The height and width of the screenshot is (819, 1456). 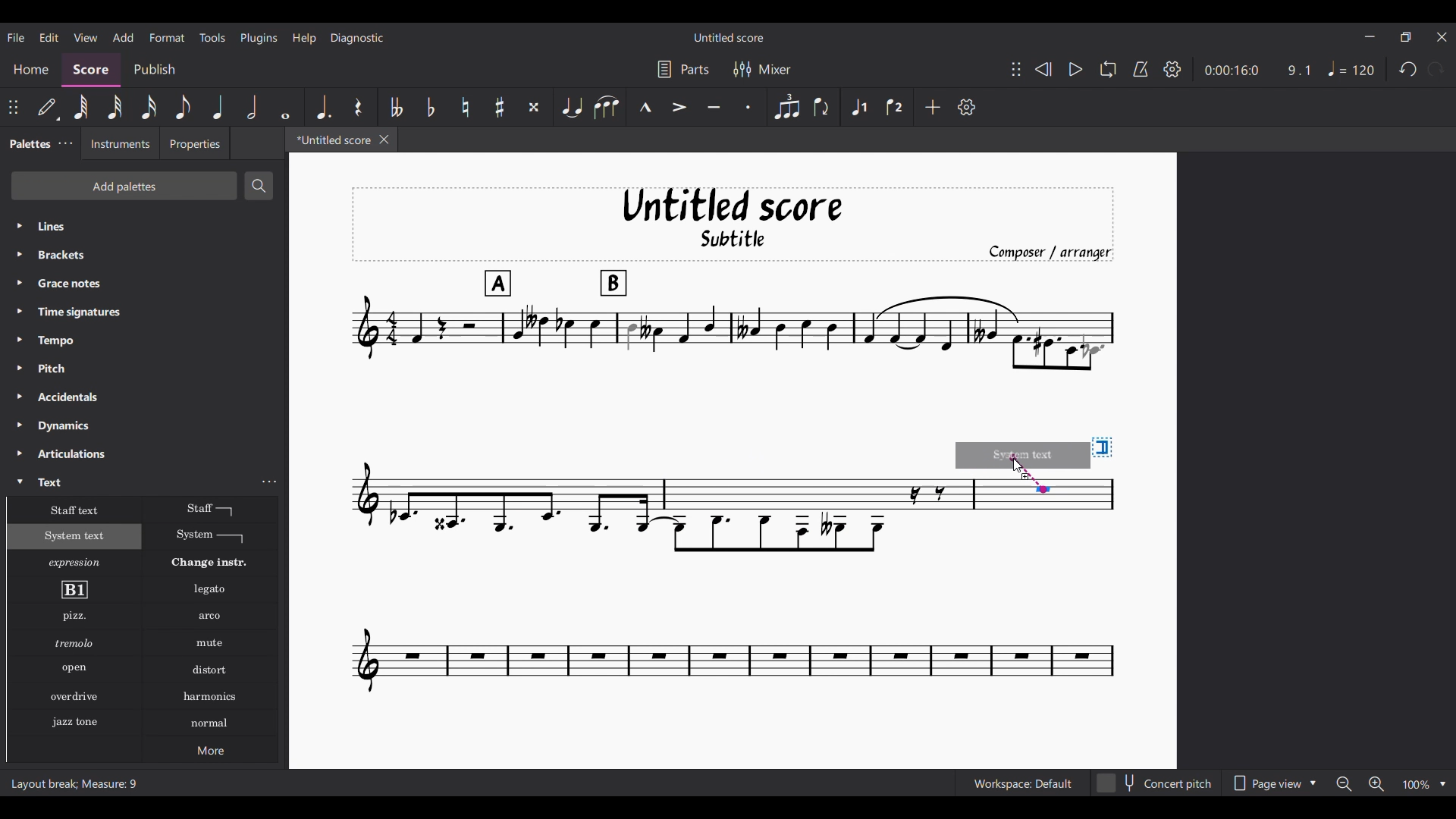 I want to click on Indicates point of contact, so click(x=1042, y=484).